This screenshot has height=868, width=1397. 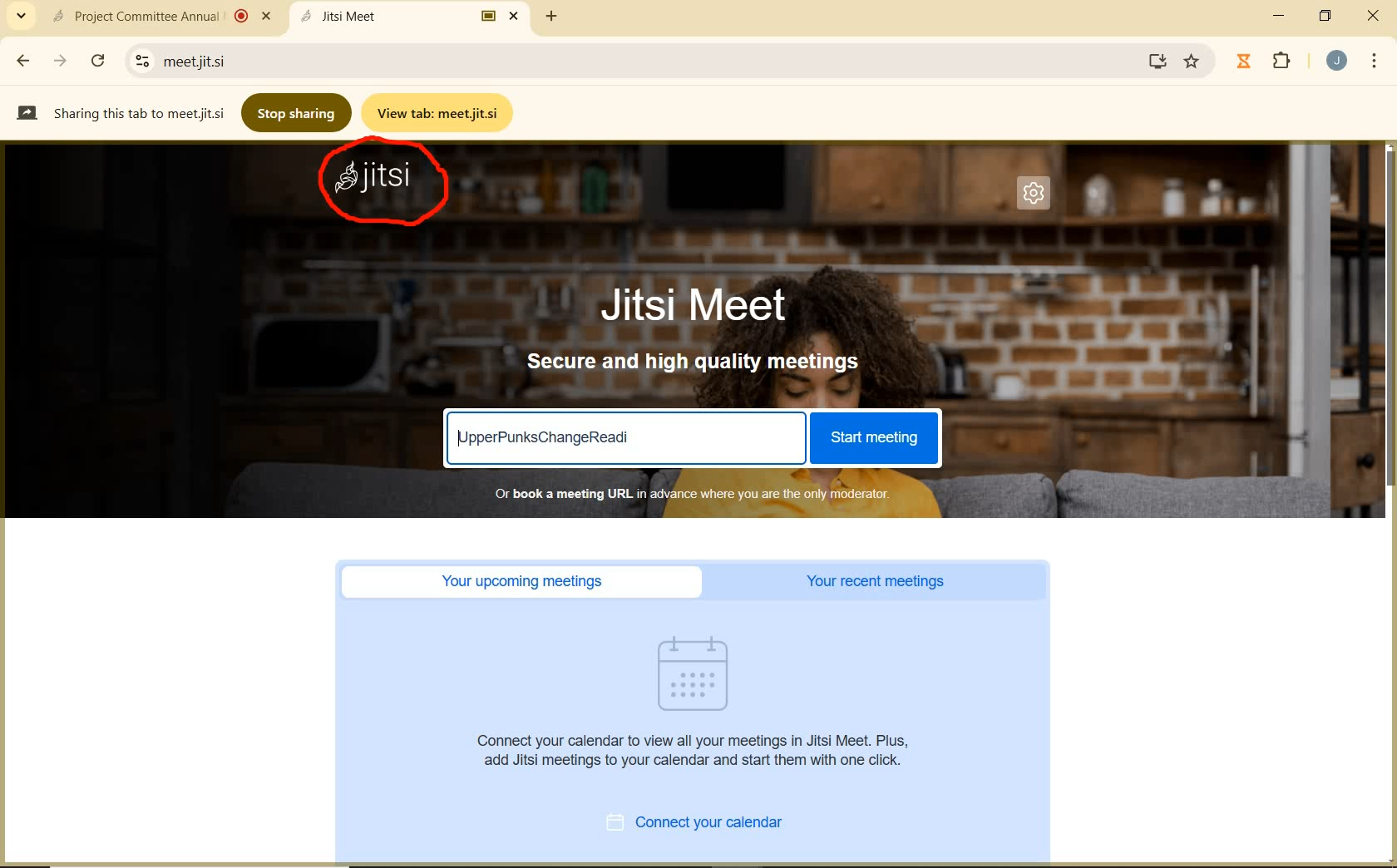 What do you see at coordinates (702, 673) in the screenshot?
I see `image` at bounding box center [702, 673].